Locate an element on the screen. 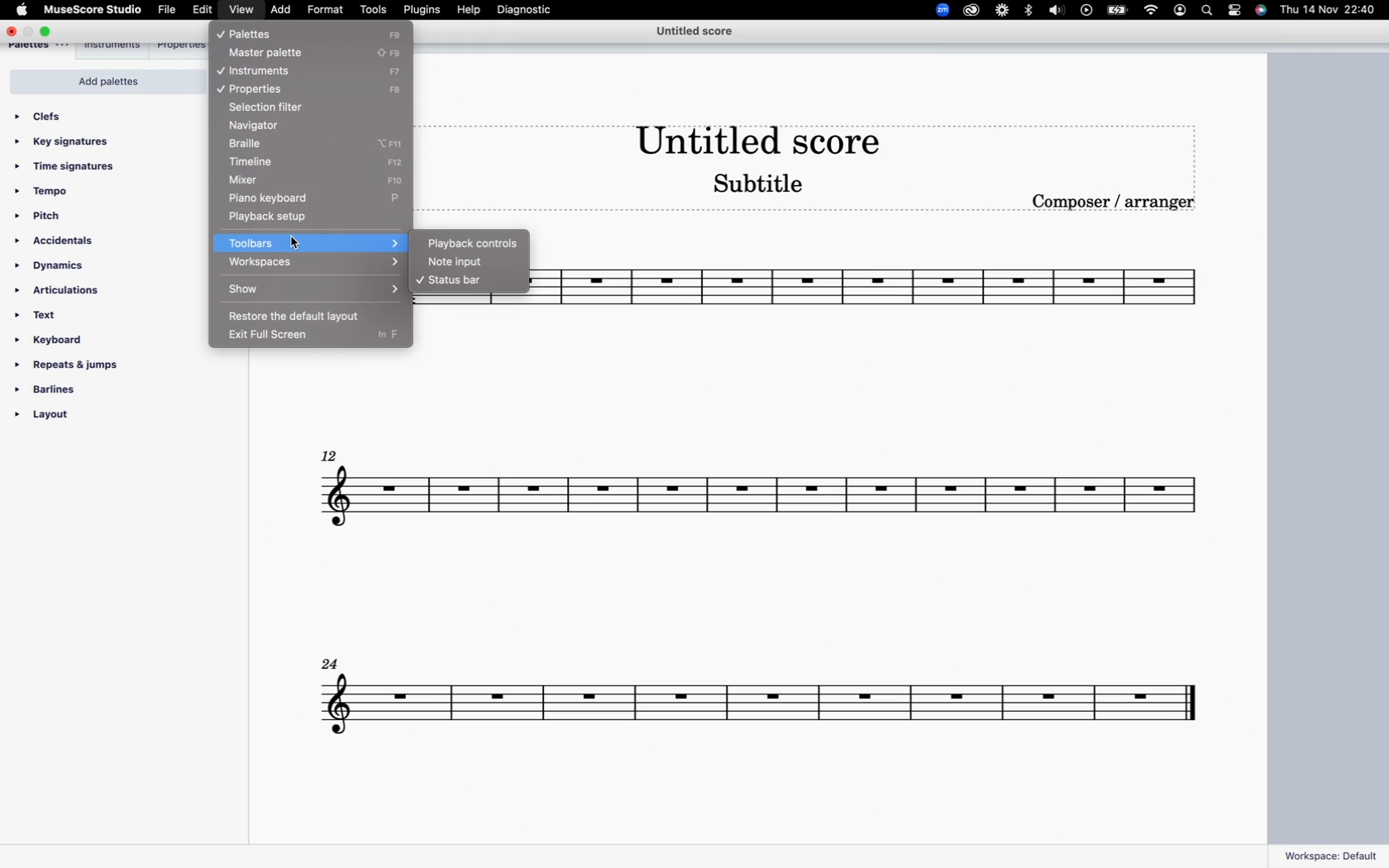 The width and height of the screenshot is (1389, 868). pitch is located at coordinates (49, 217).